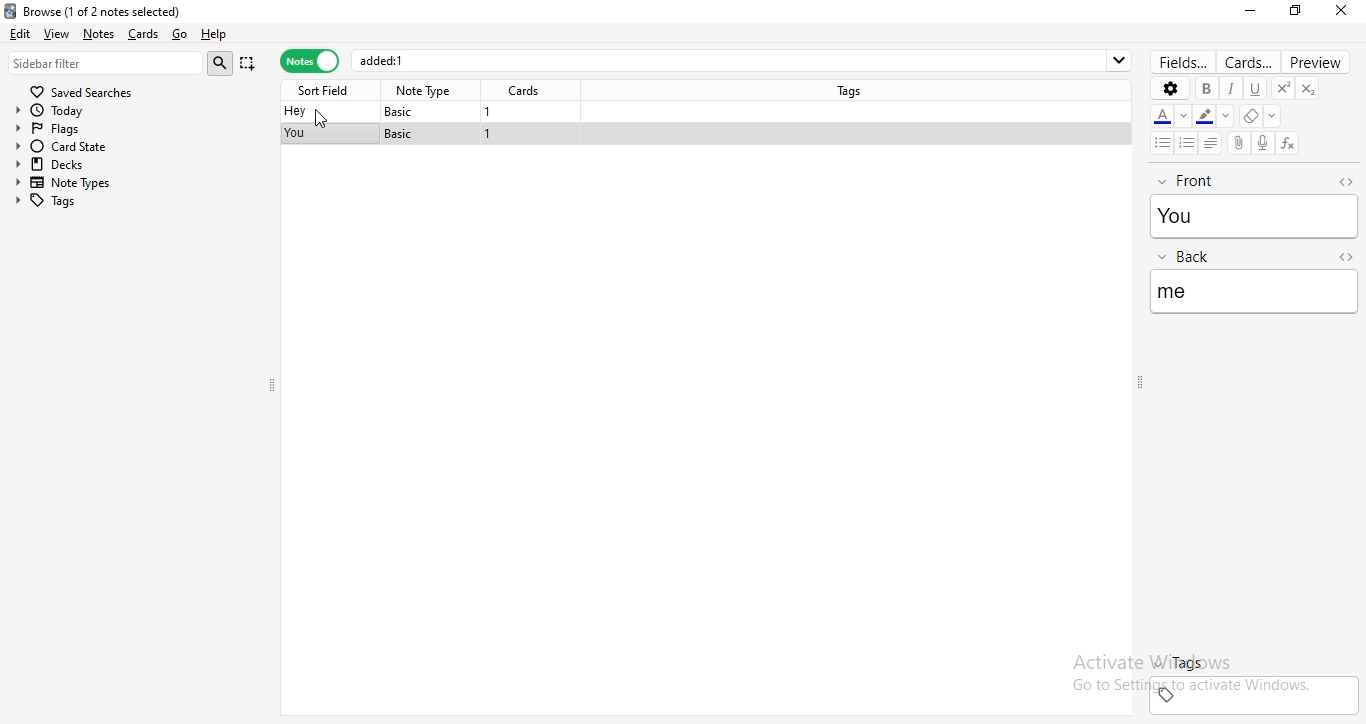 The height and width of the screenshot is (724, 1366). What do you see at coordinates (851, 89) in the screenshot?
I see `tags` at bounding box center [851, 89].